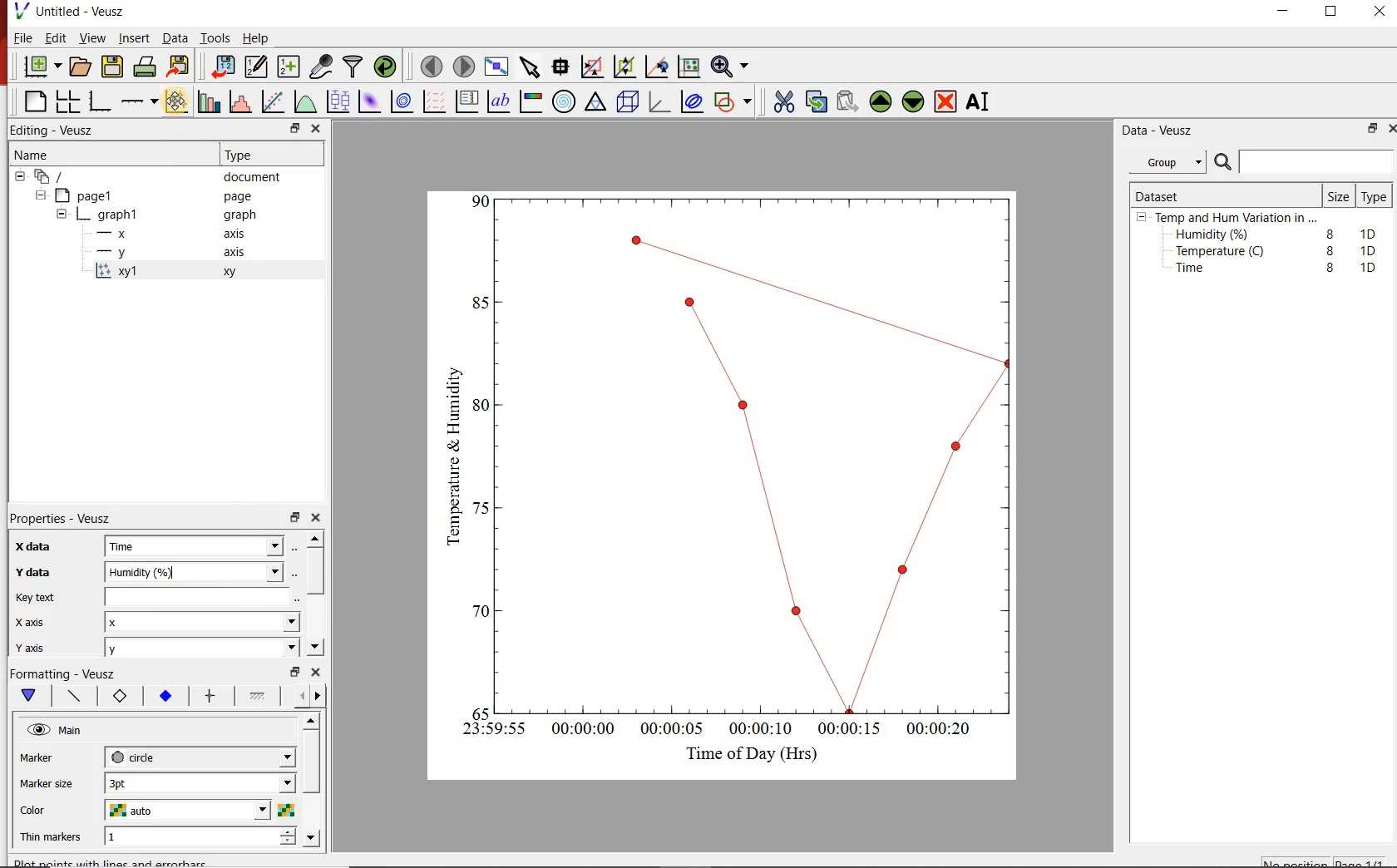  Describe the element at coordinates (57, 130) in the screenshot. I see `Editing - Veusz` at that location.